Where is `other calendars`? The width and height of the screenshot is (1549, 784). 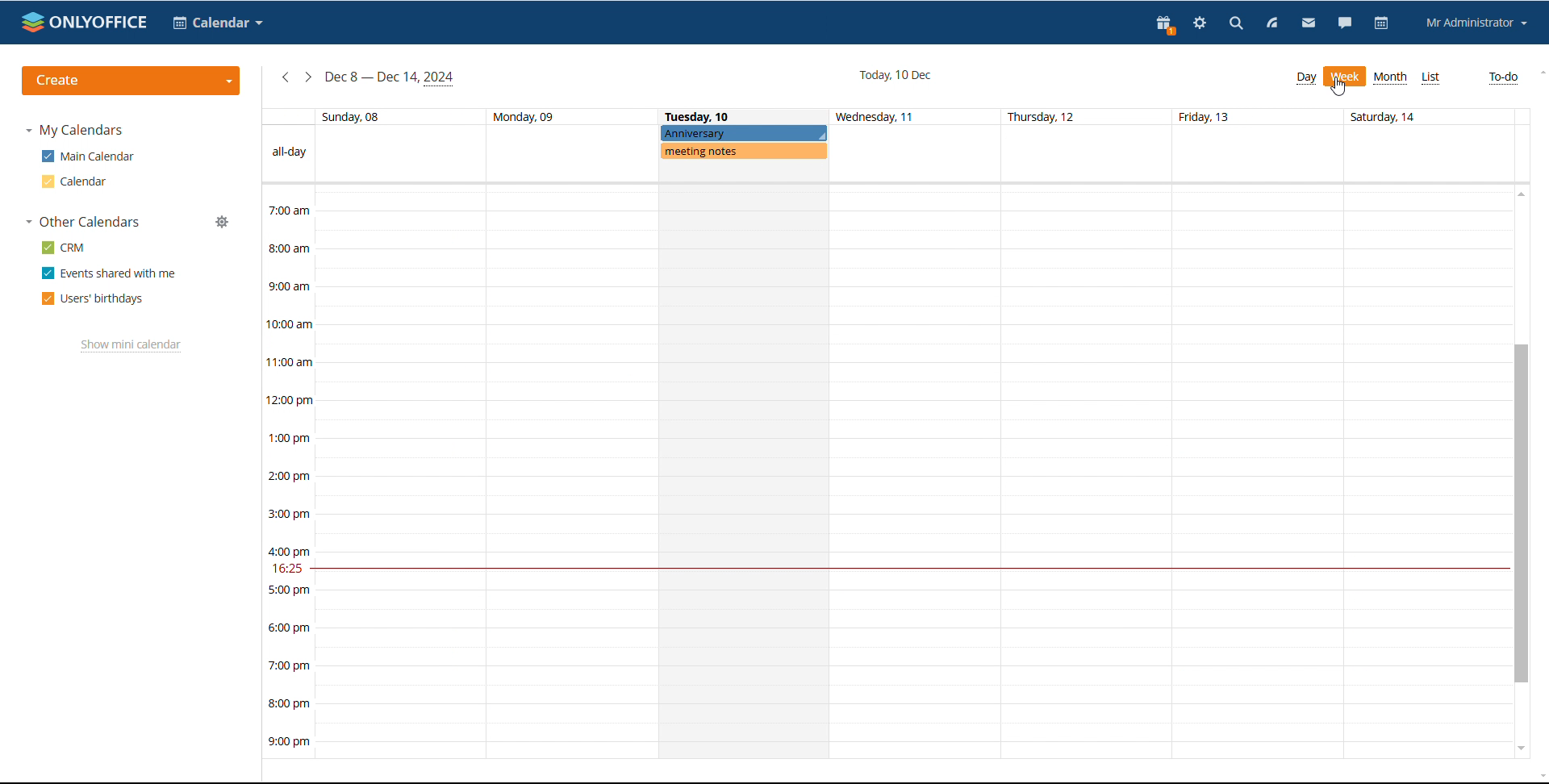 other calendars is located at coordinates (83, 223).